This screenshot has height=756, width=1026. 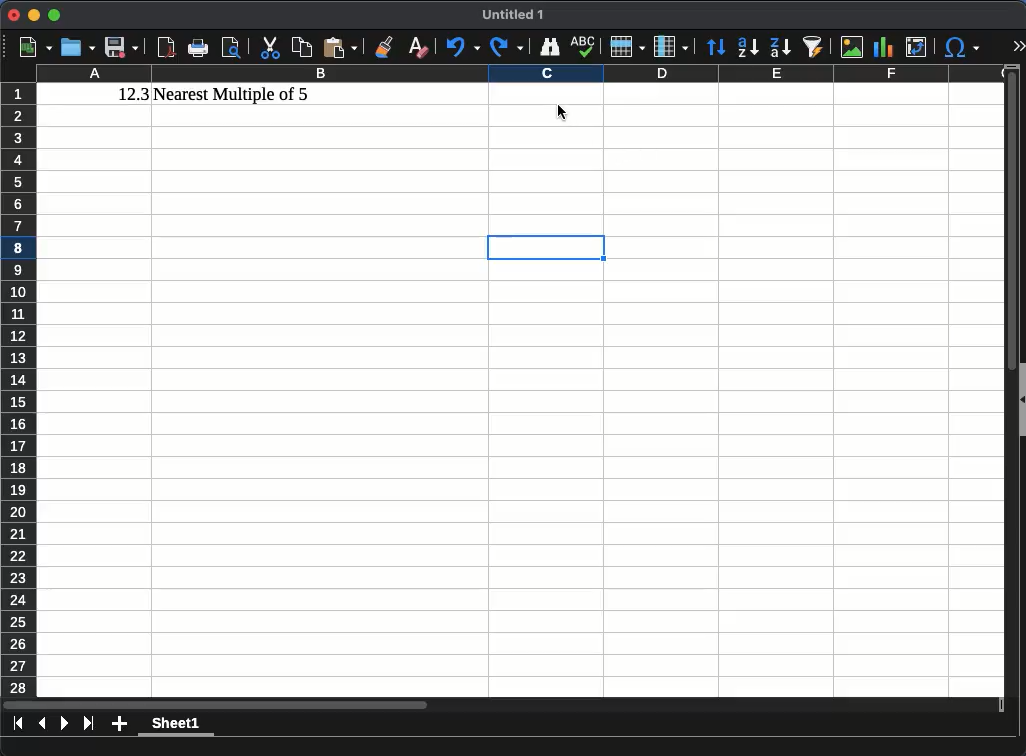 What do you see at coordinates (718, 48) in the screenshot?
I see `sort` at bounding box center [718, 48].